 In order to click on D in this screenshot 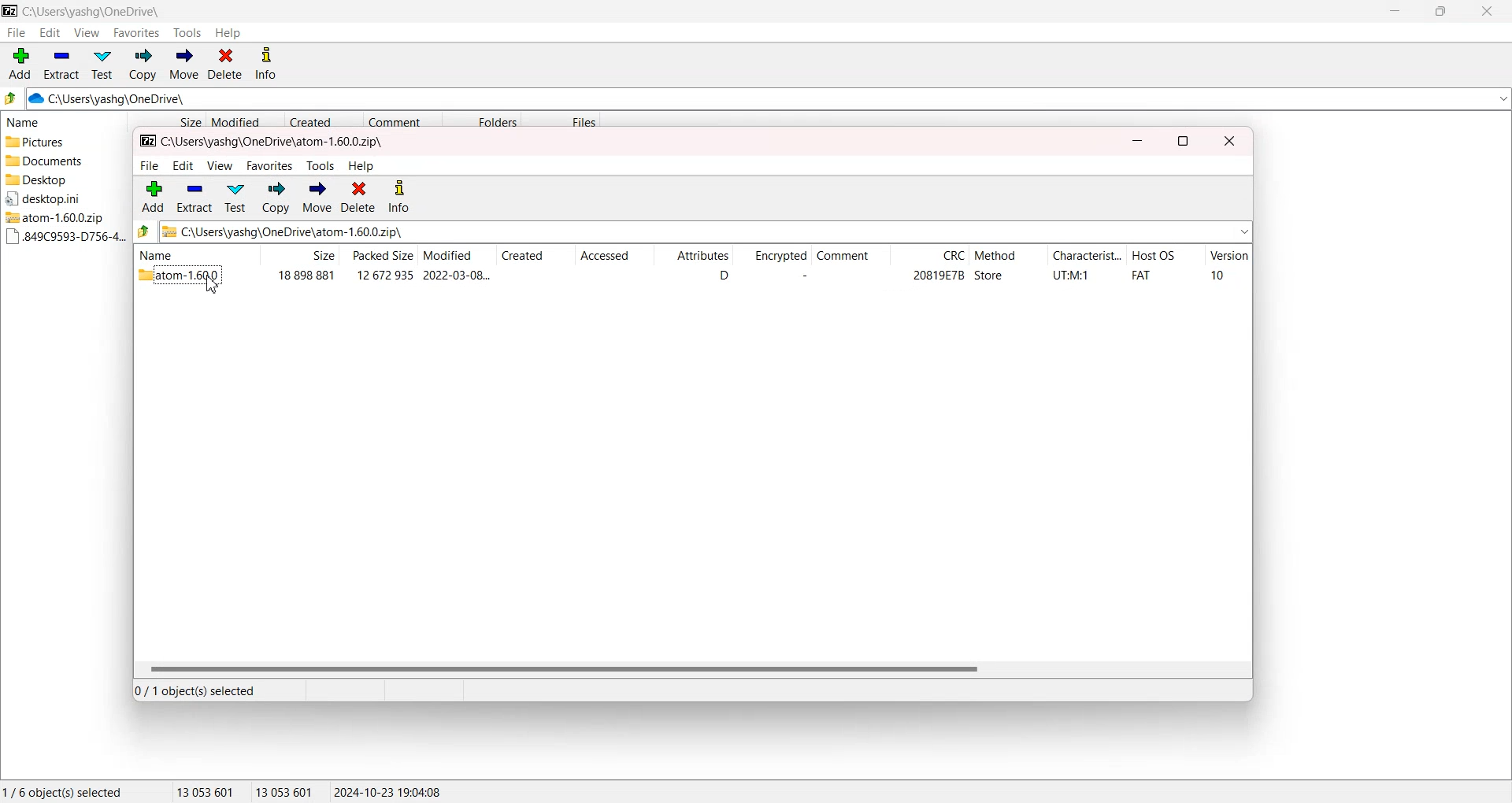, I will do `click(723, 276)`.